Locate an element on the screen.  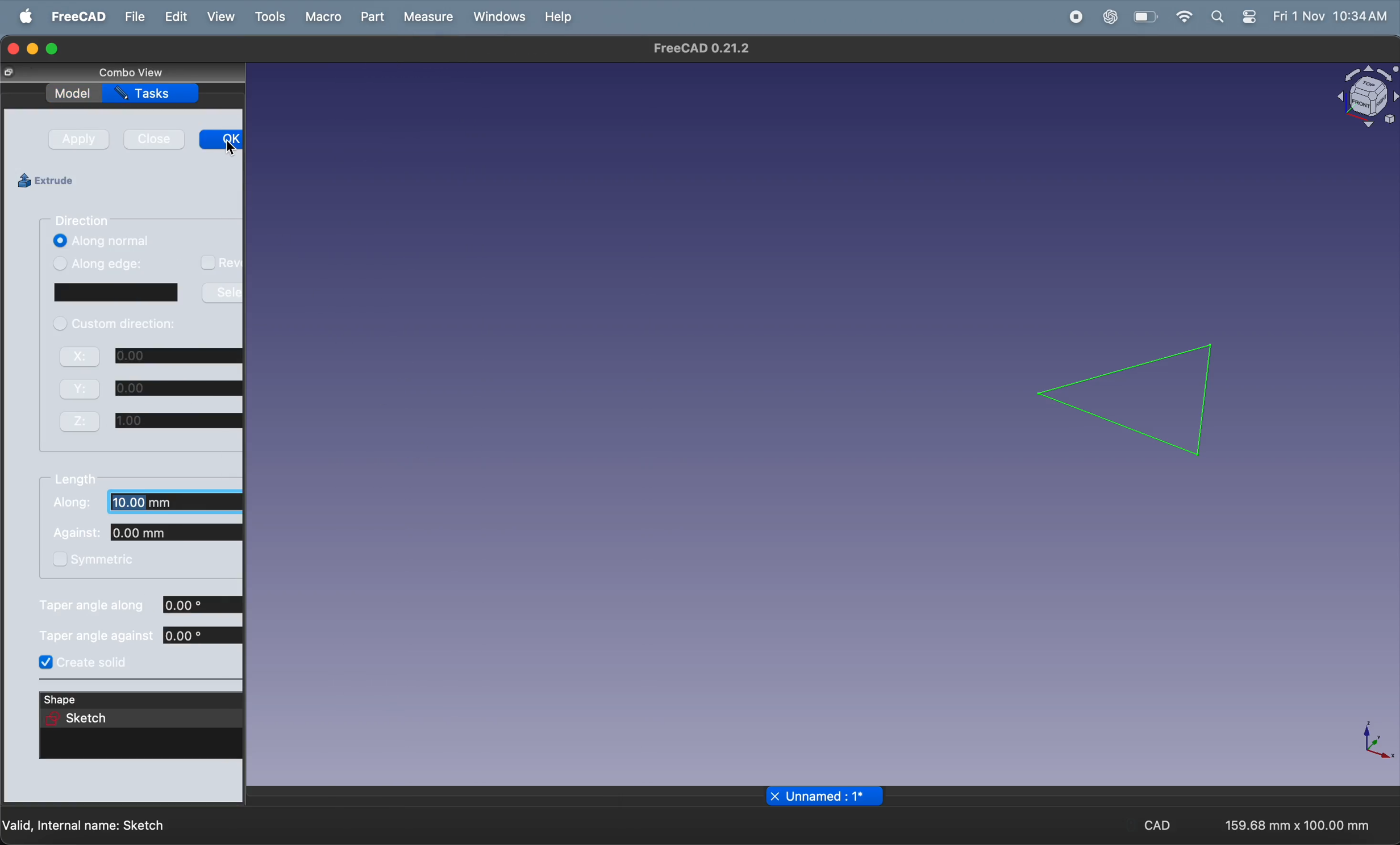
taper angle along is located at coordinates (200, 605).